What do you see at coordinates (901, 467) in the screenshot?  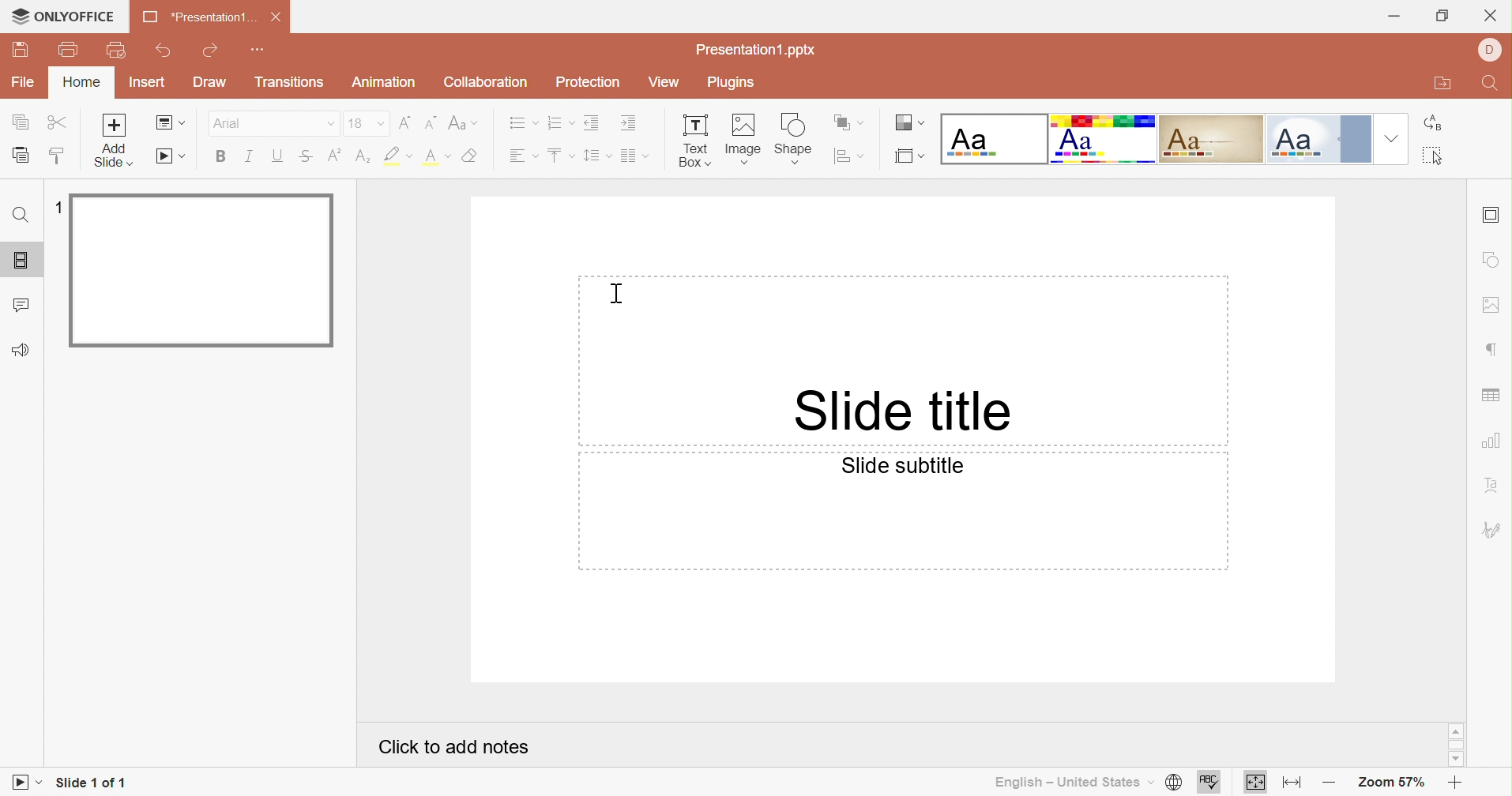 I see `Slide subtitle` at bounding box center [901, 467].